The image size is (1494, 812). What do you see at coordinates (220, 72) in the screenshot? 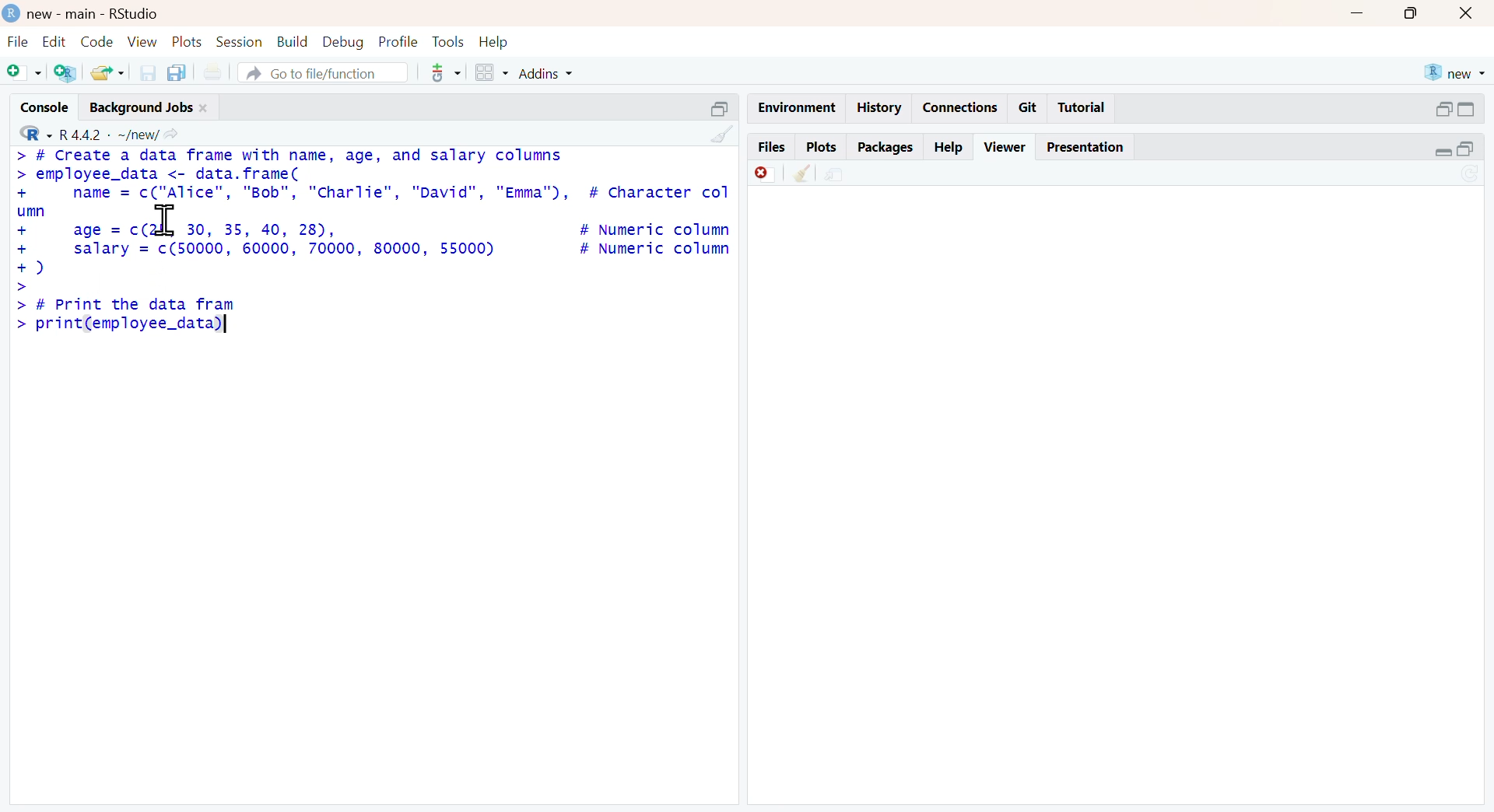
I see `print current document` at bounding box center [220, 72].